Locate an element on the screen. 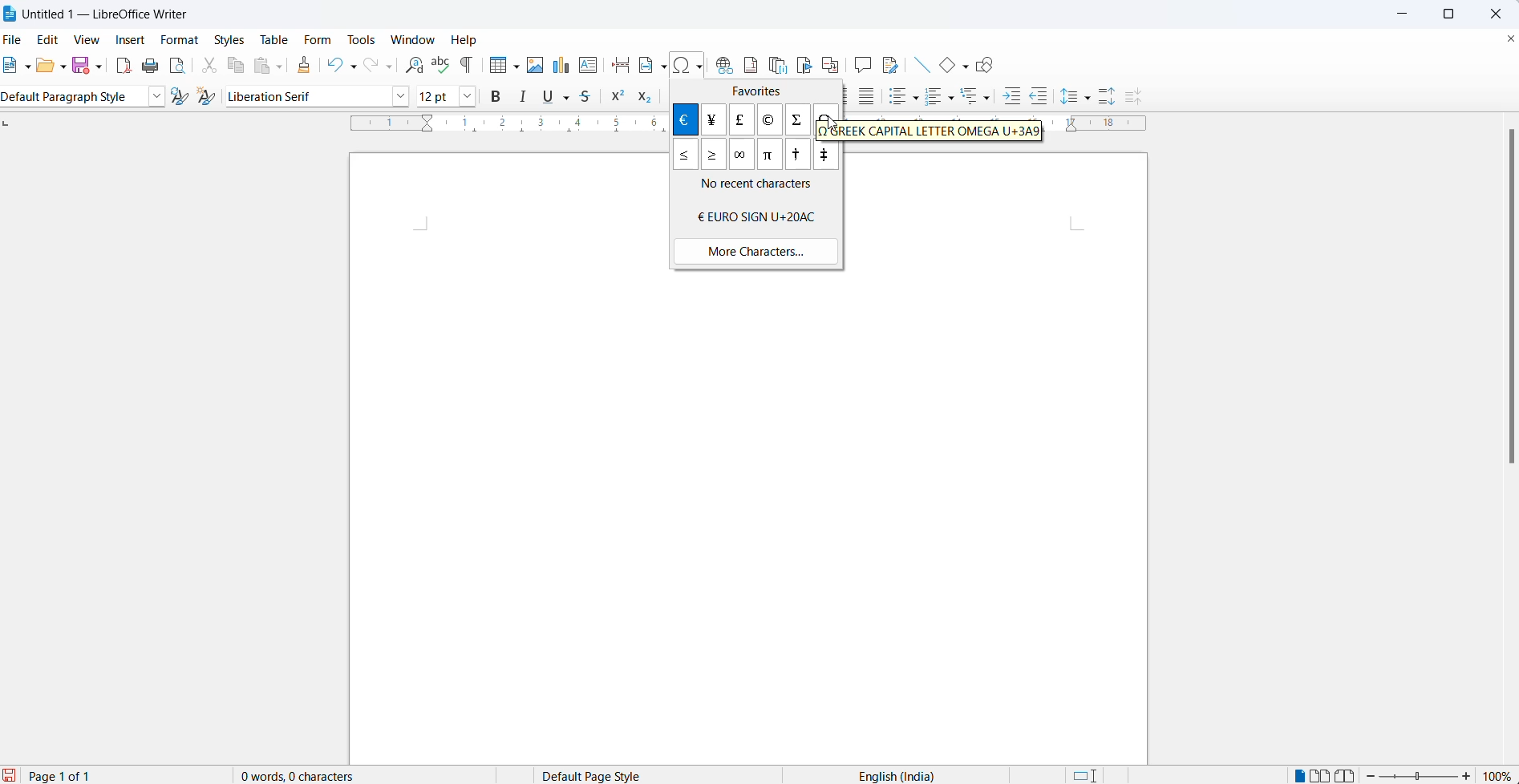  close is located at coordinates (1501, 12).